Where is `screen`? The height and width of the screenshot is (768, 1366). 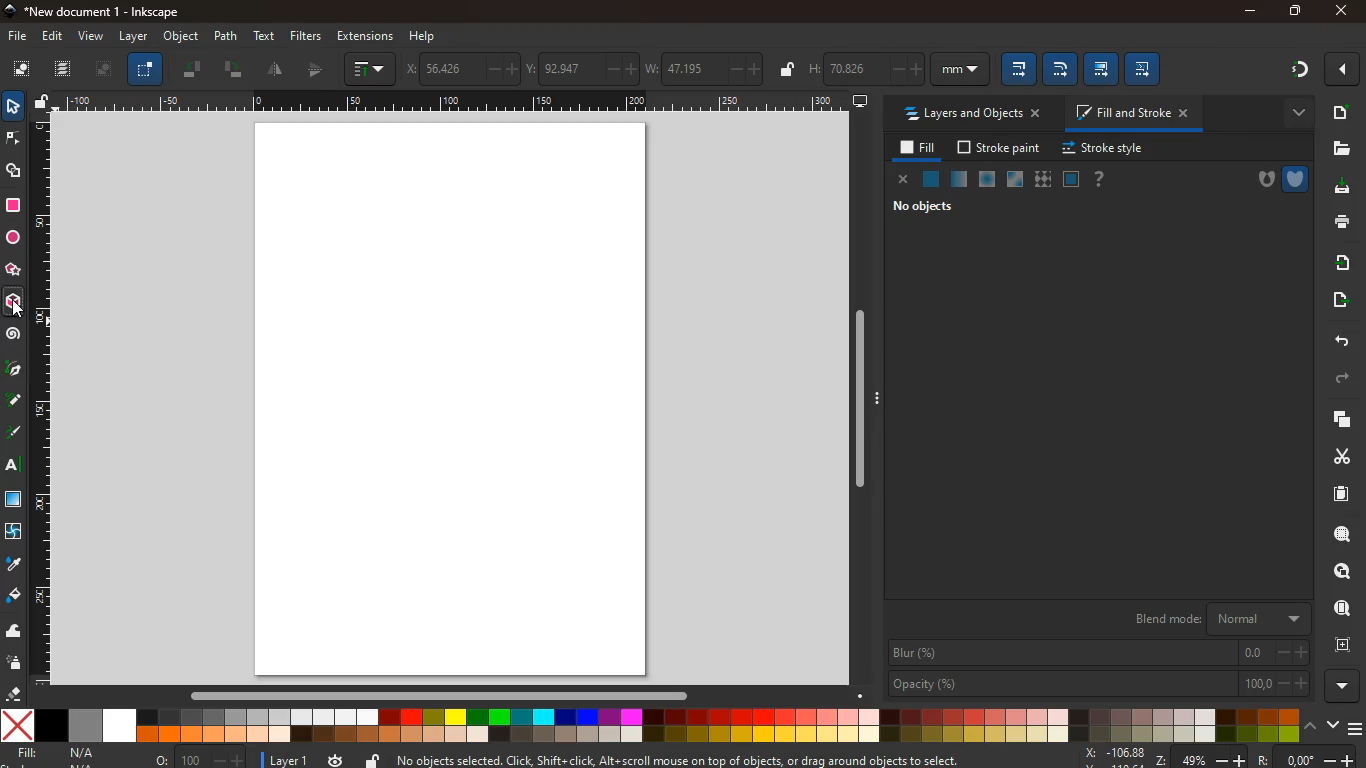
screen is located at coordinates (458, 400).